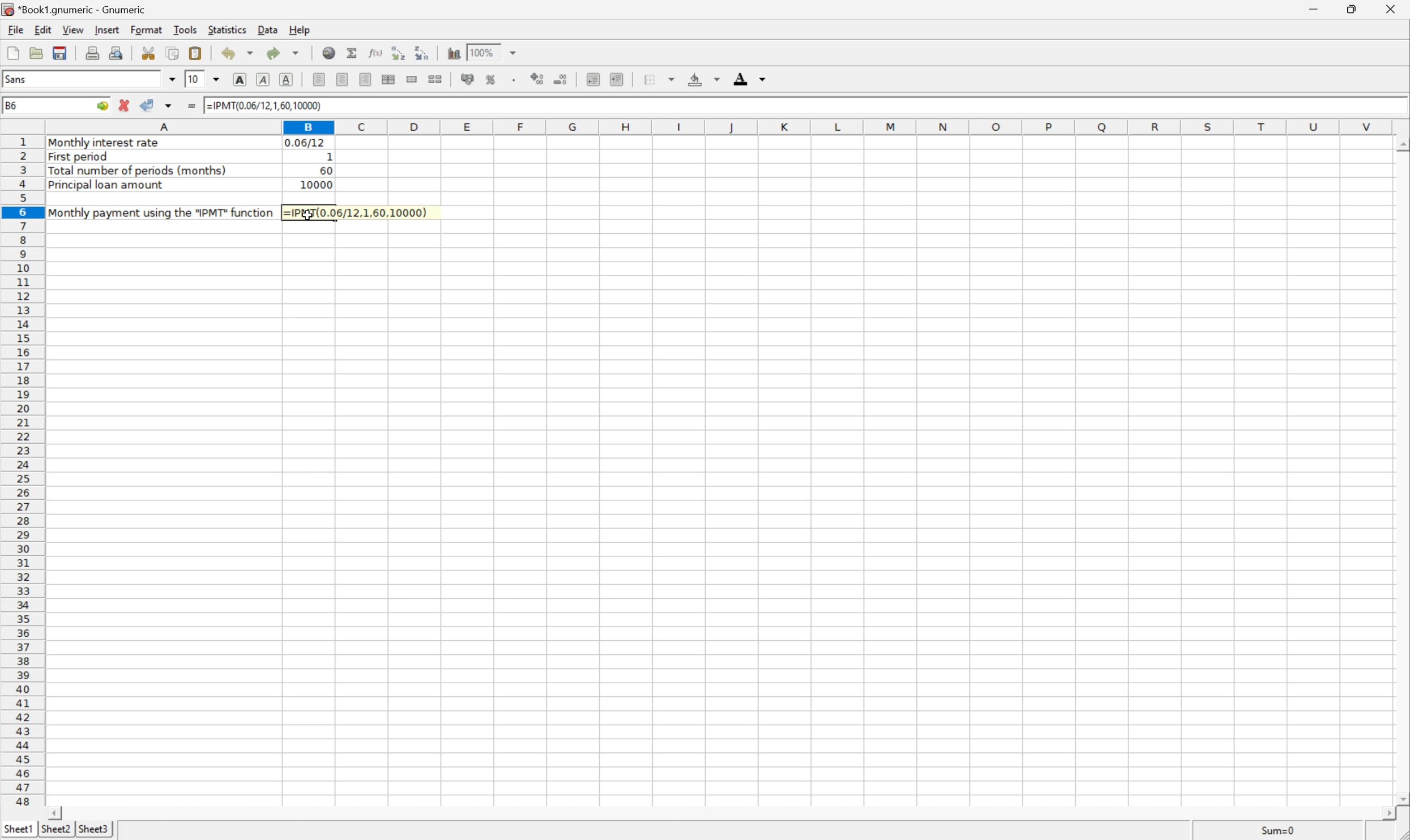  Describe the element at coordinates (82, 156) in the screenshot. I see `First period` at that location.